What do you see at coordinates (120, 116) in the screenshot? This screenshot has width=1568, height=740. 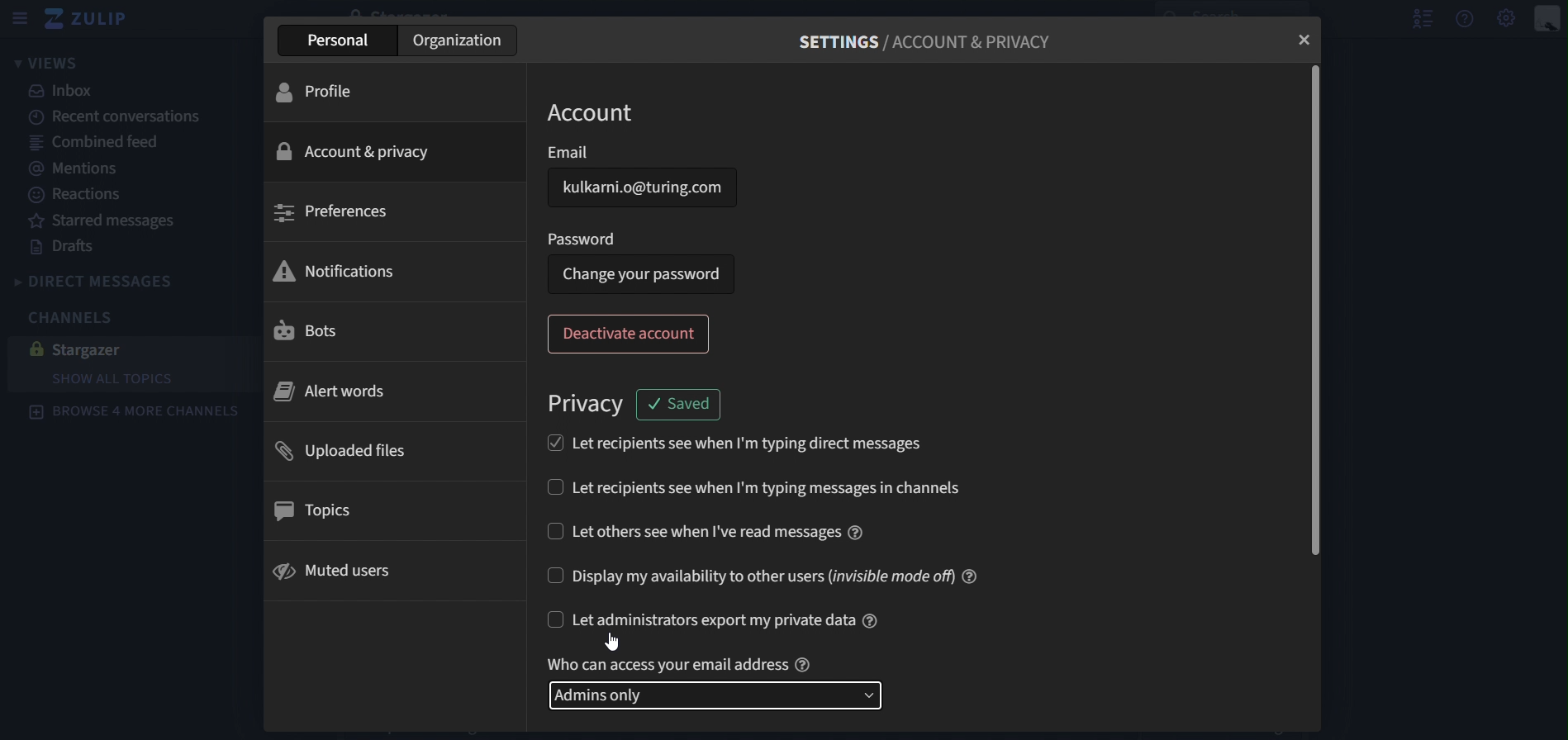 I see `recent canversations` at bounding box center [120, 116].